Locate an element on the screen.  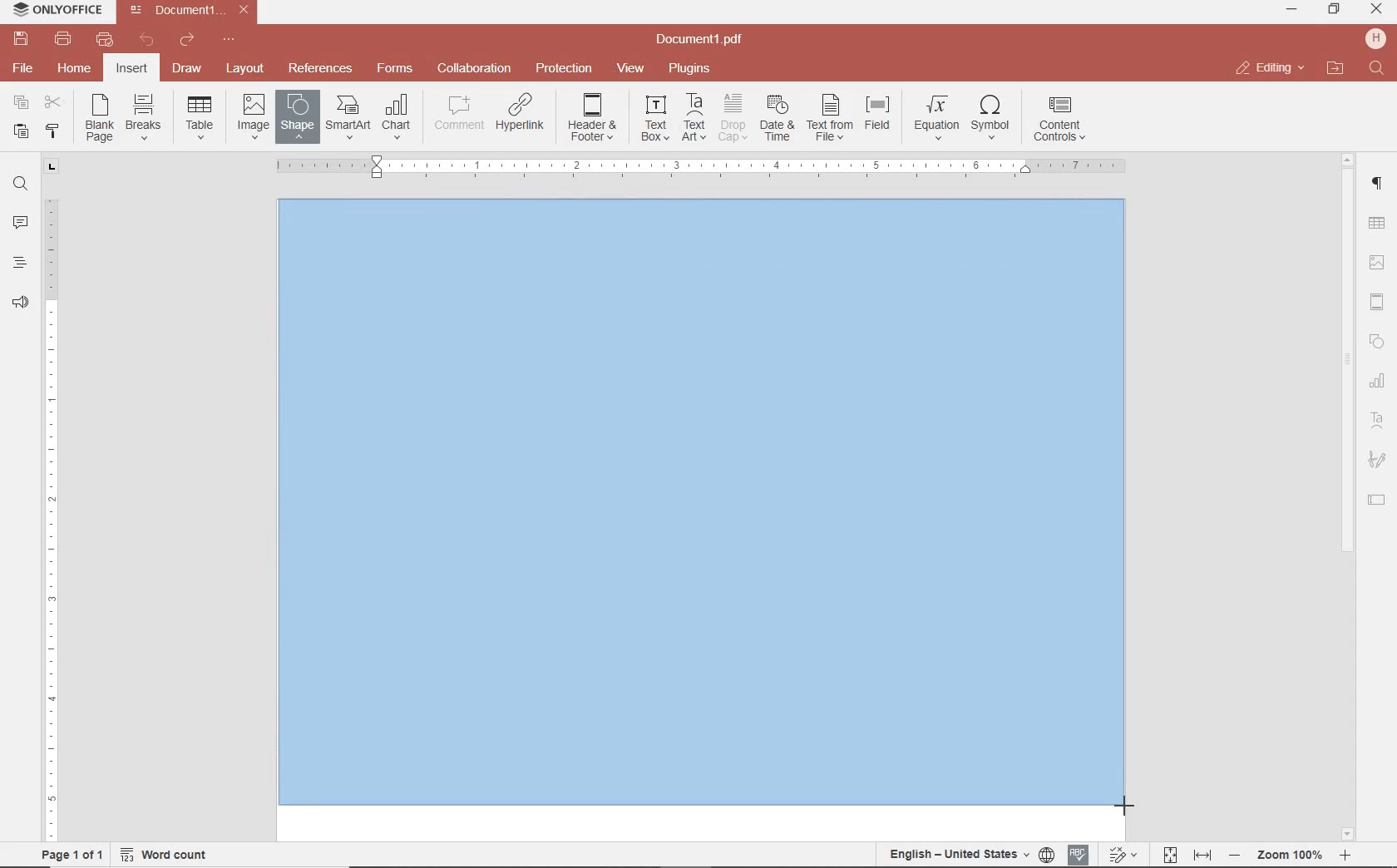
reference is located at coordinates (318, 69).